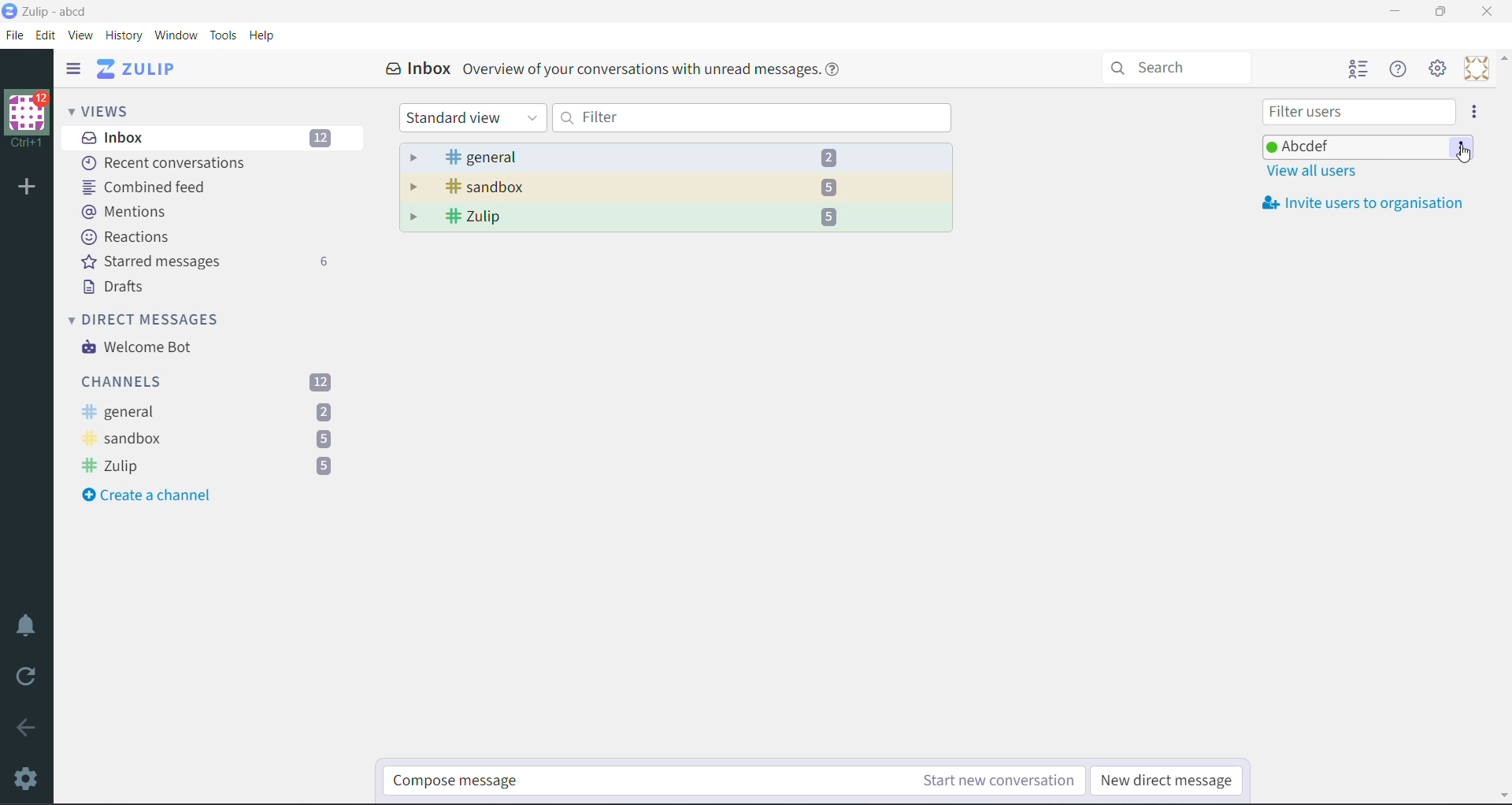  What do you see at coordinates (1307, 171) in the screenshot?
I see `View all users` at bounding box center [1307, 171].